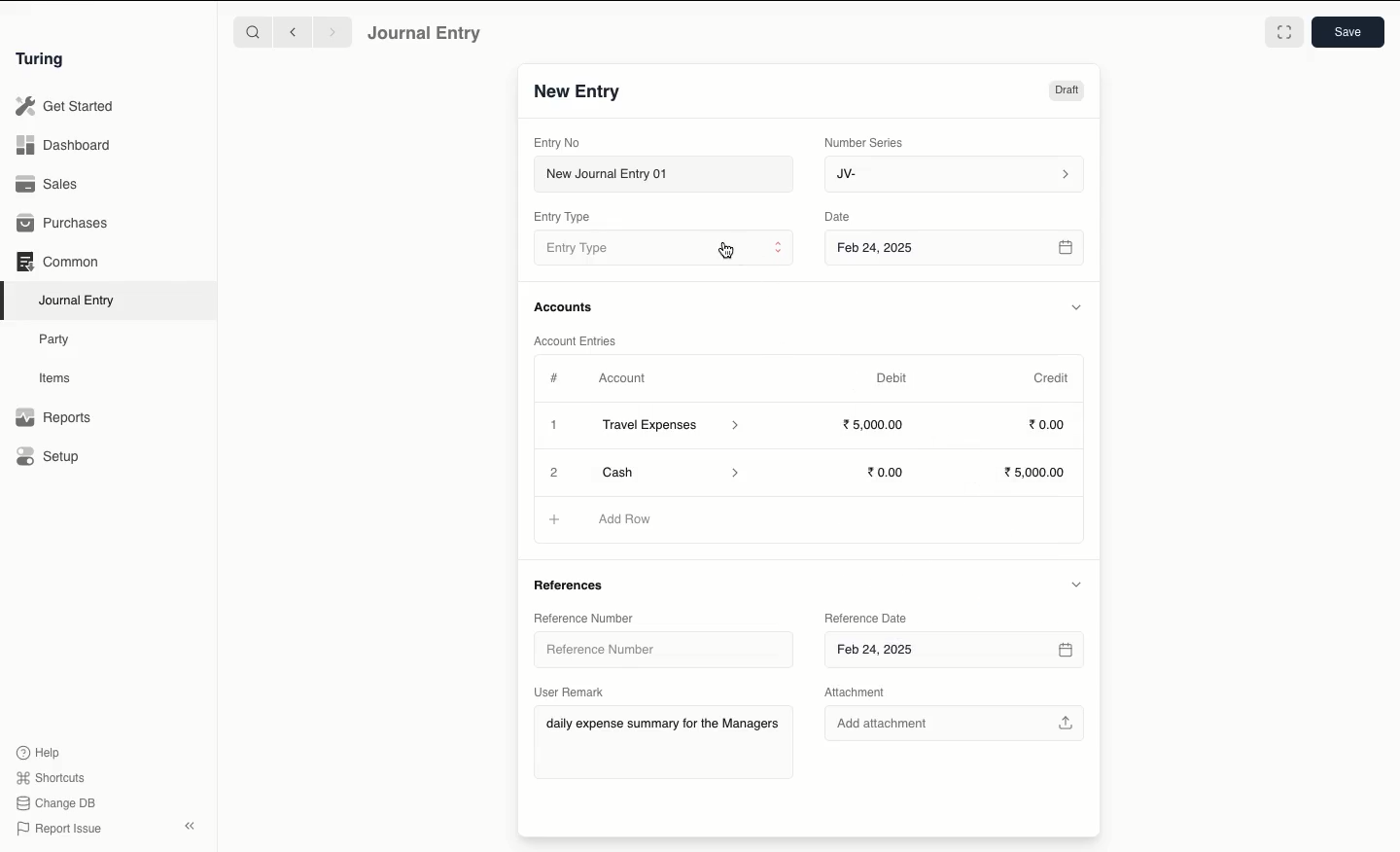  Describe the element at coordinates (673, 427) in the screenshot. I see `Travel Expenses` at that location.